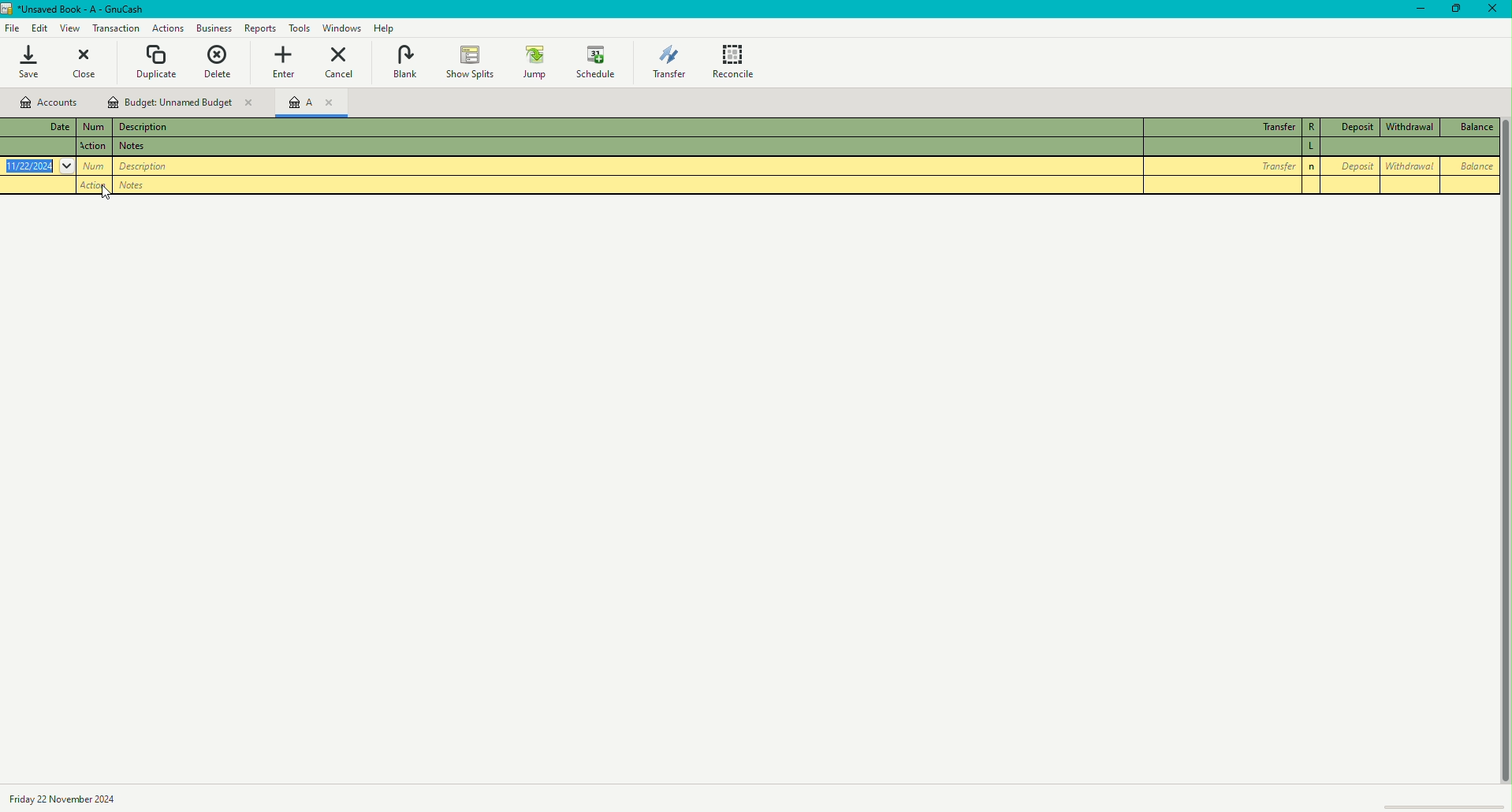 The height and width of the screenshot is (812, 1512). What do you see at coordinates (468, 59) in the screenshot?
I see `Show Splits` at bounding box center [468, 59].